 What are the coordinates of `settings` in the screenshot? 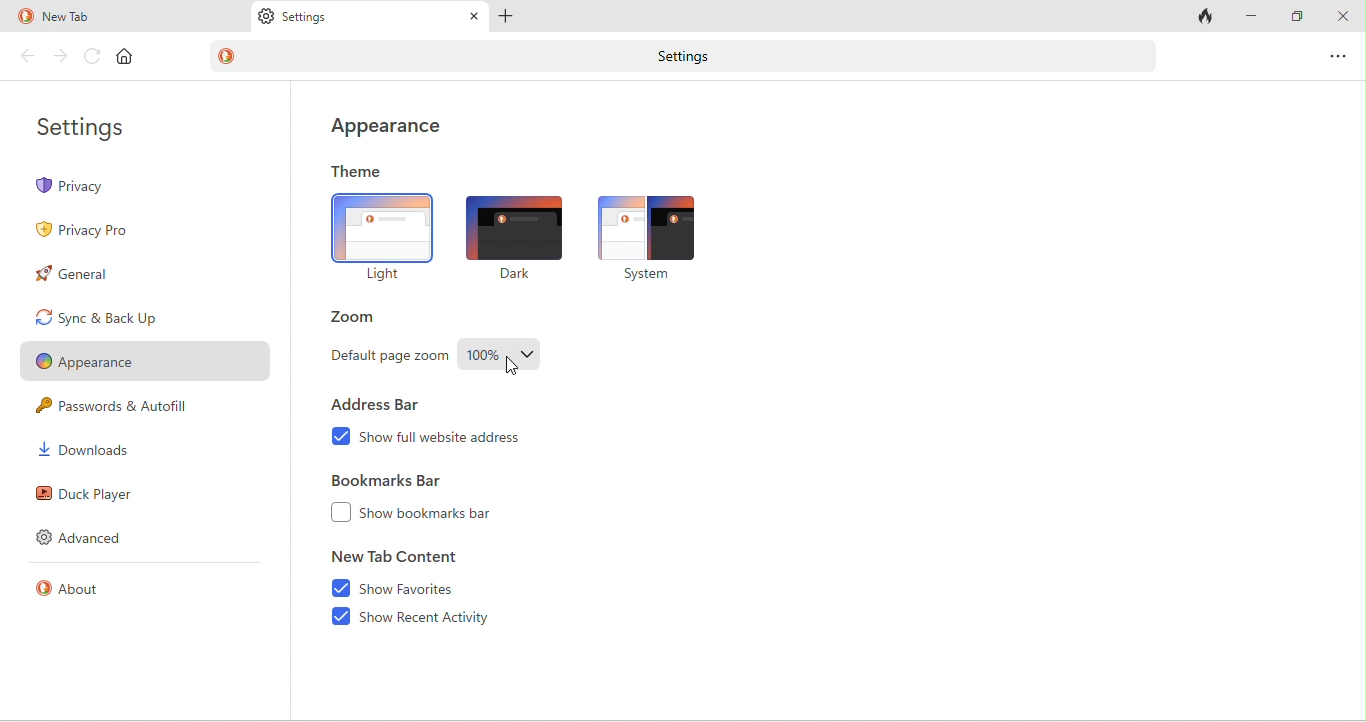 It's located at (311, 19).